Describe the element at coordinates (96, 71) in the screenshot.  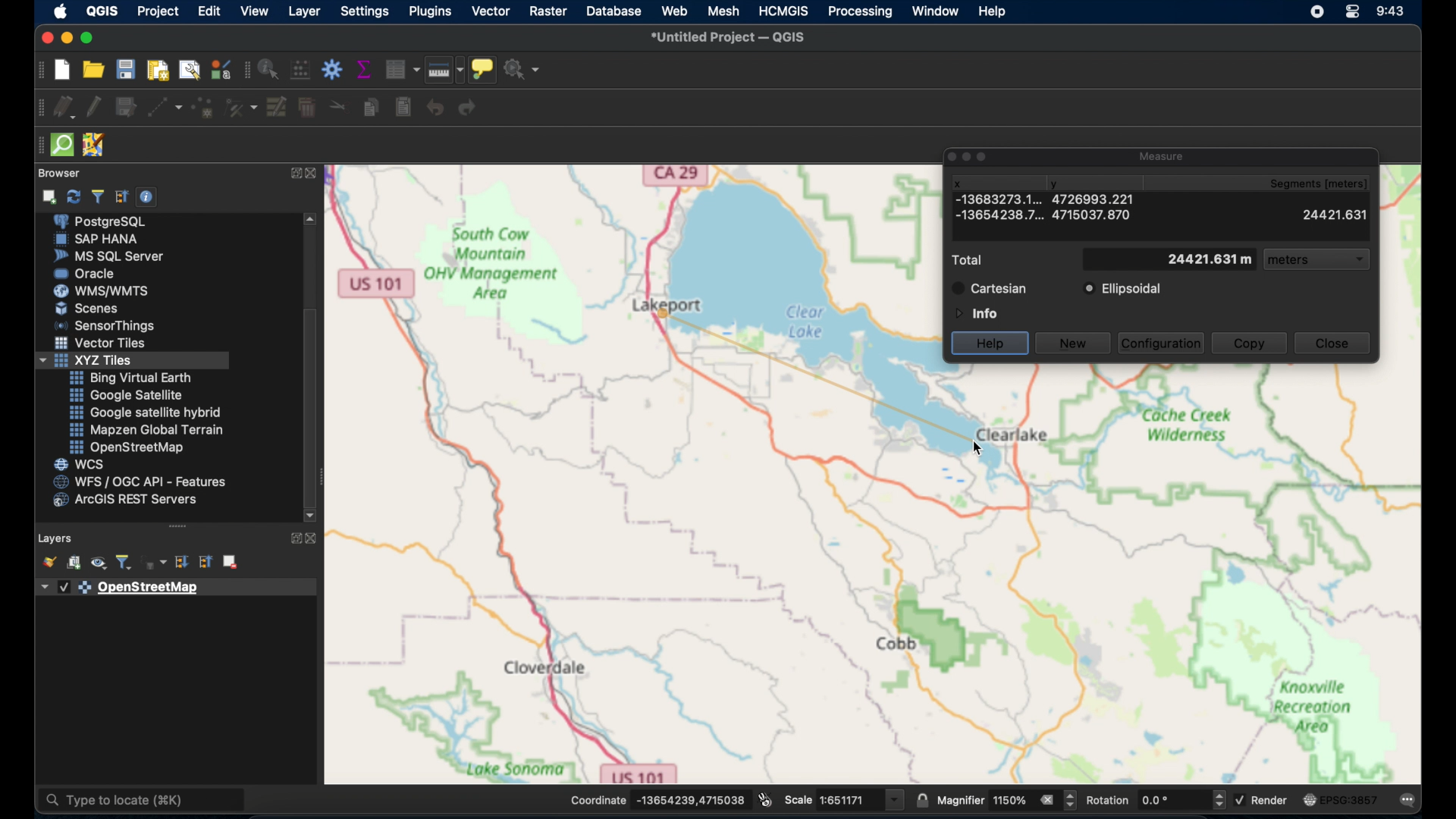
I see `open project` at that location.